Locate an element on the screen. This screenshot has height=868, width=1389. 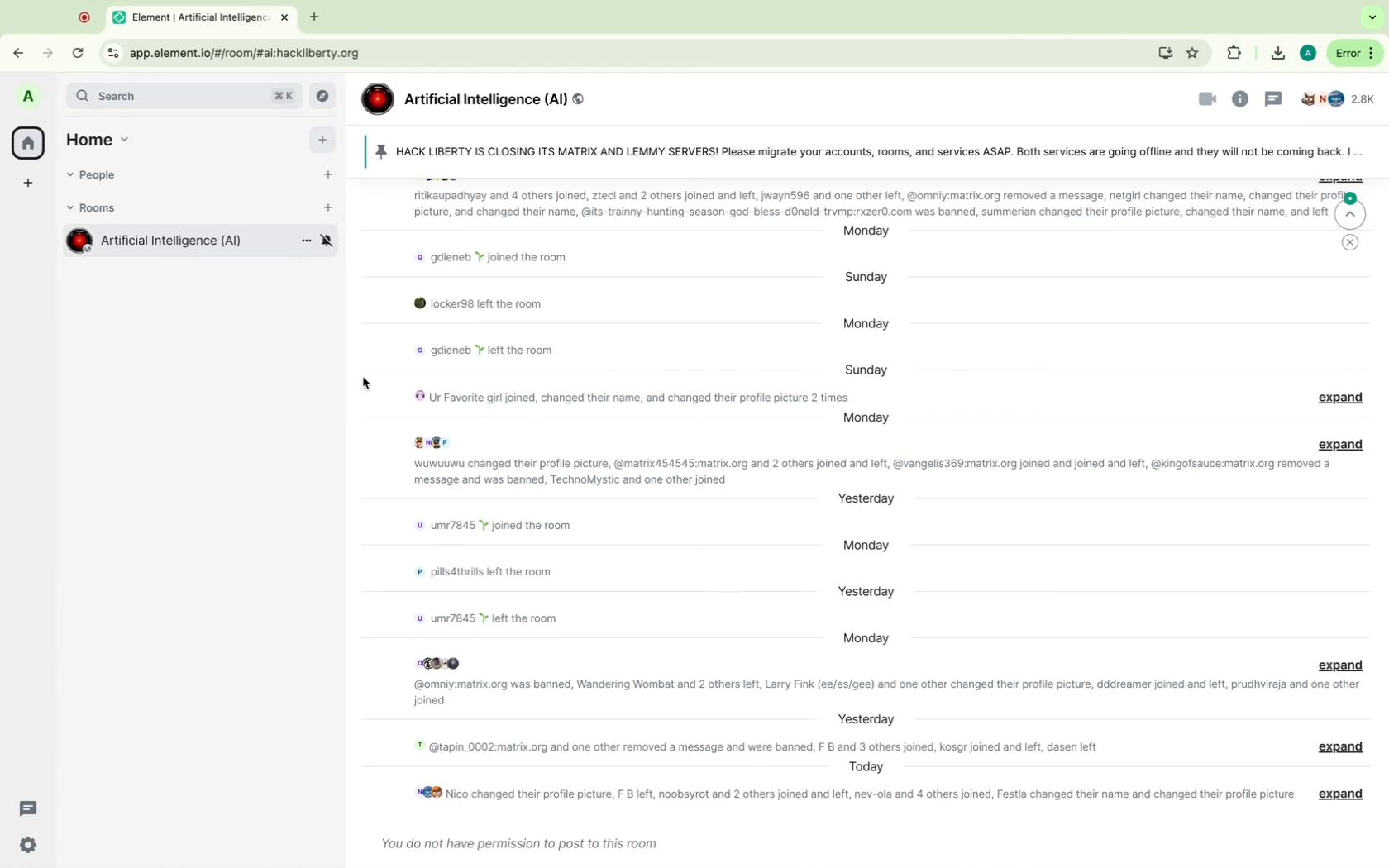
extentions is located at coordinates (1236, 53).